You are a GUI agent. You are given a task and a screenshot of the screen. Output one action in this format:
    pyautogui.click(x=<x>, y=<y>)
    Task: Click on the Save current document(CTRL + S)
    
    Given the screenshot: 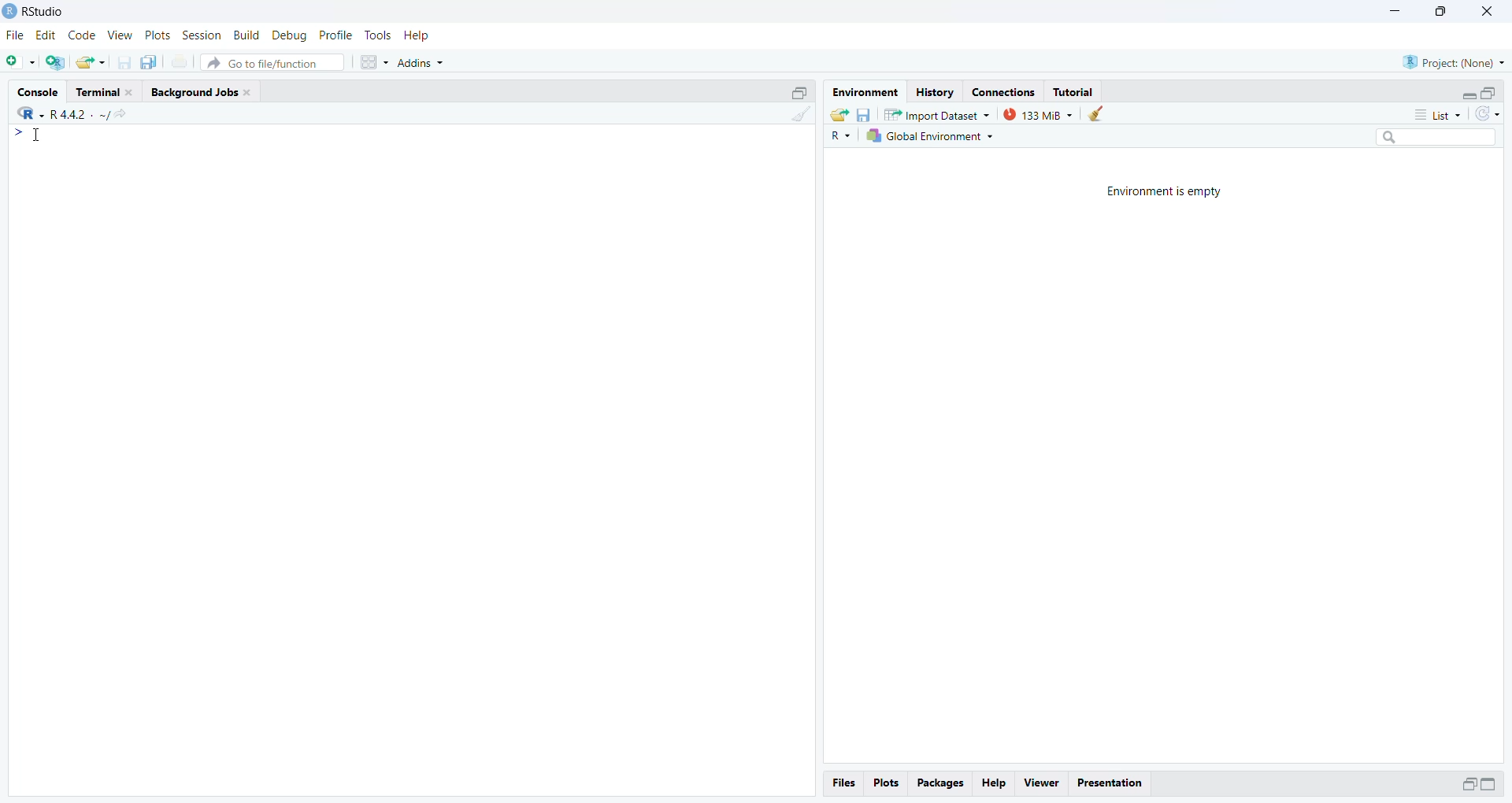 What is the action you would take?
    pyautogui.click(x=123, y=64)
    